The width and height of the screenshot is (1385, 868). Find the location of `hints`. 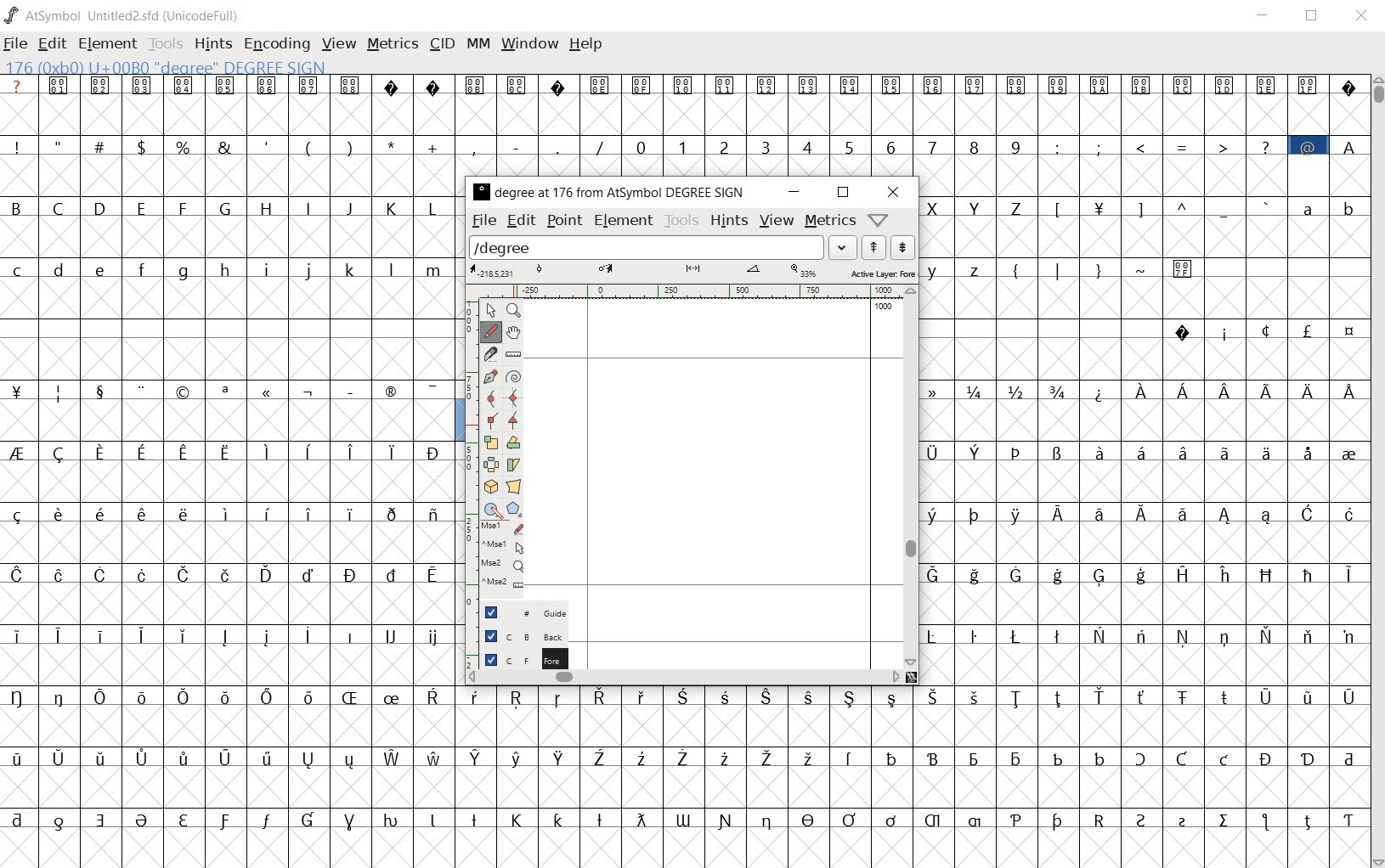

hints is located at coordinates (212, 44).